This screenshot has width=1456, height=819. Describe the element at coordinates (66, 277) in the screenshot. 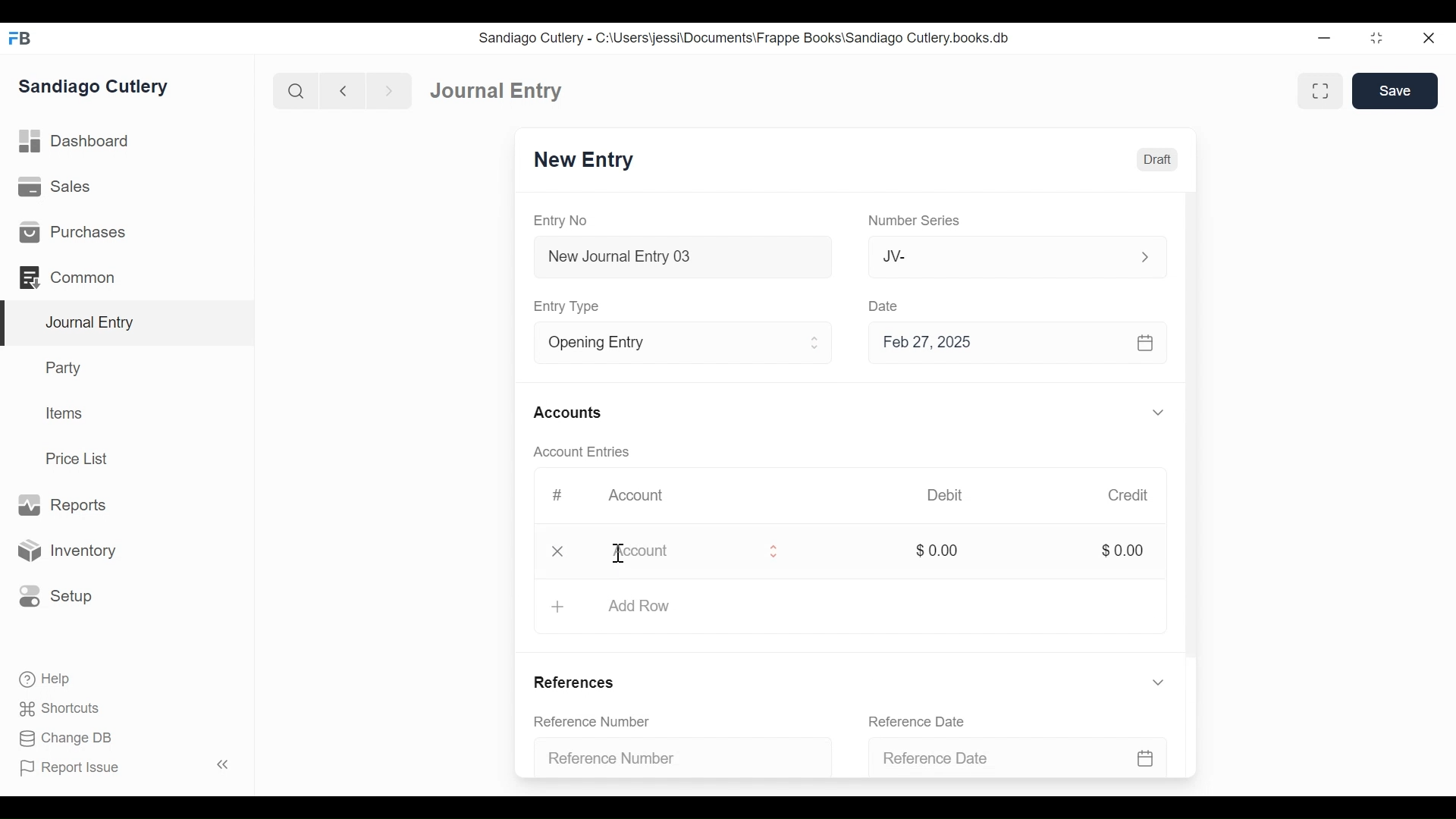

I see `Commons` at that location.